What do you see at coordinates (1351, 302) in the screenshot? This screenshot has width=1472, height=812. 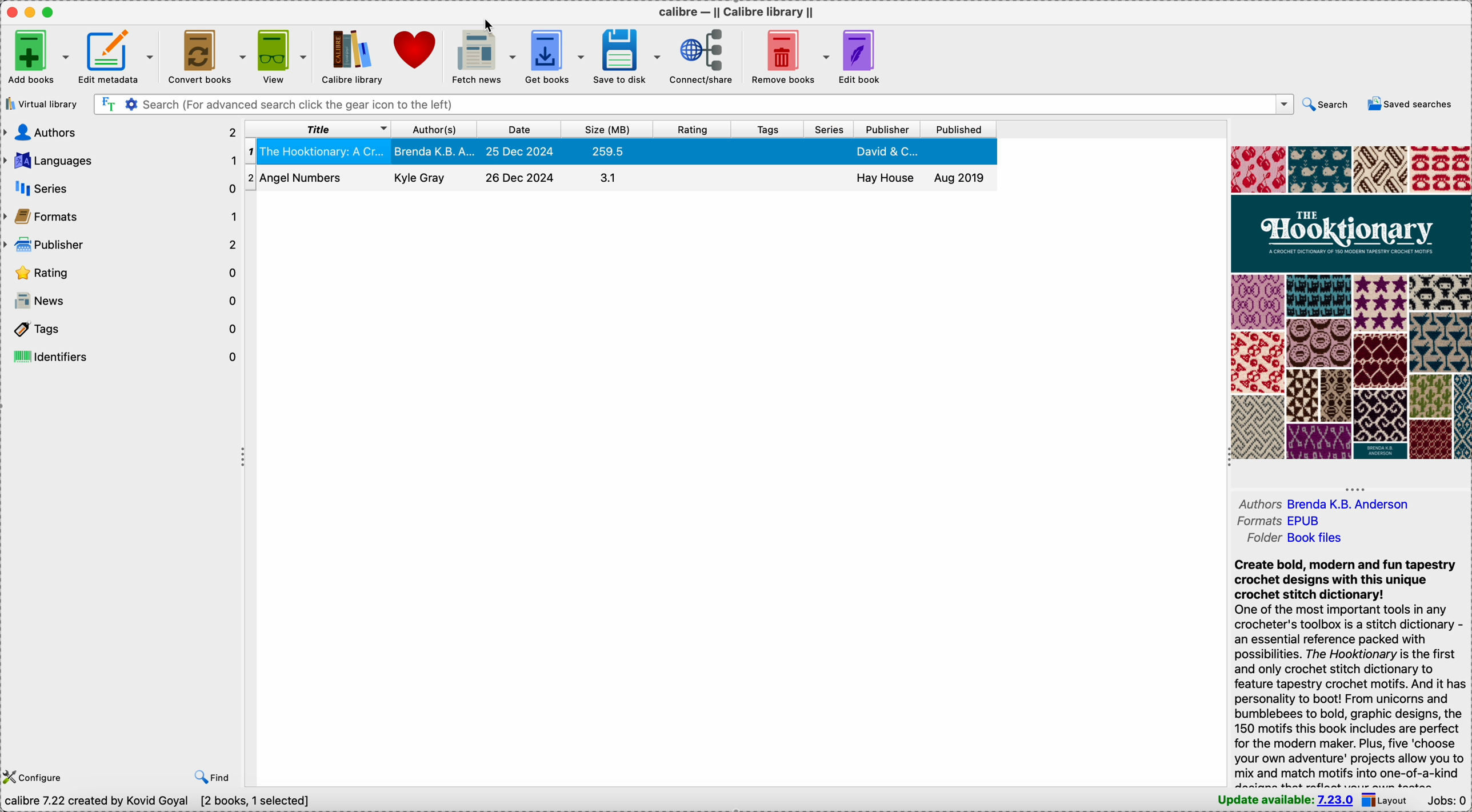 I see `book cover preview` at bounding box center [1351, 302].